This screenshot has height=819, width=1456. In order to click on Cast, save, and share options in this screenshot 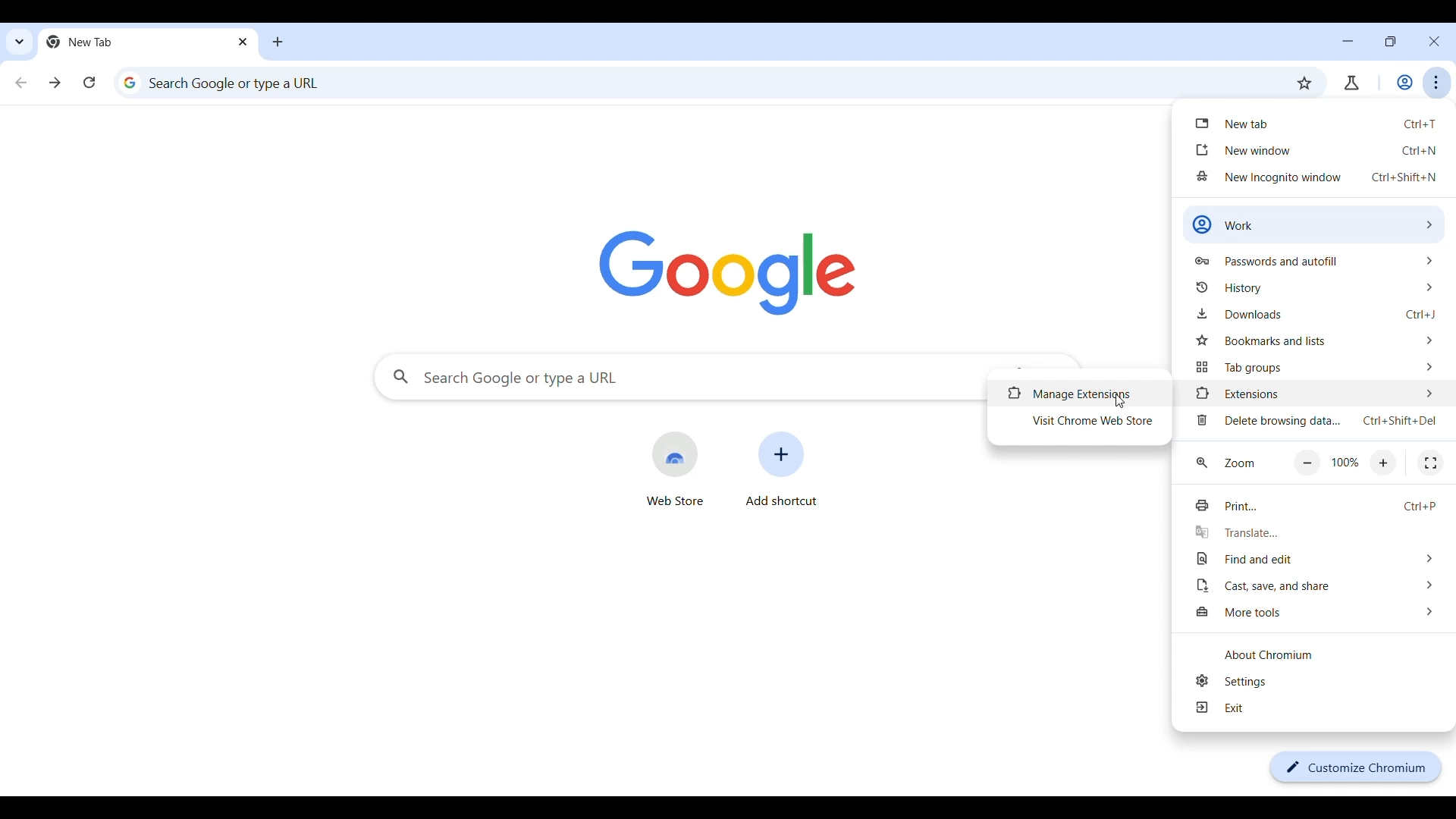, I will do `click(1318, 585)`.